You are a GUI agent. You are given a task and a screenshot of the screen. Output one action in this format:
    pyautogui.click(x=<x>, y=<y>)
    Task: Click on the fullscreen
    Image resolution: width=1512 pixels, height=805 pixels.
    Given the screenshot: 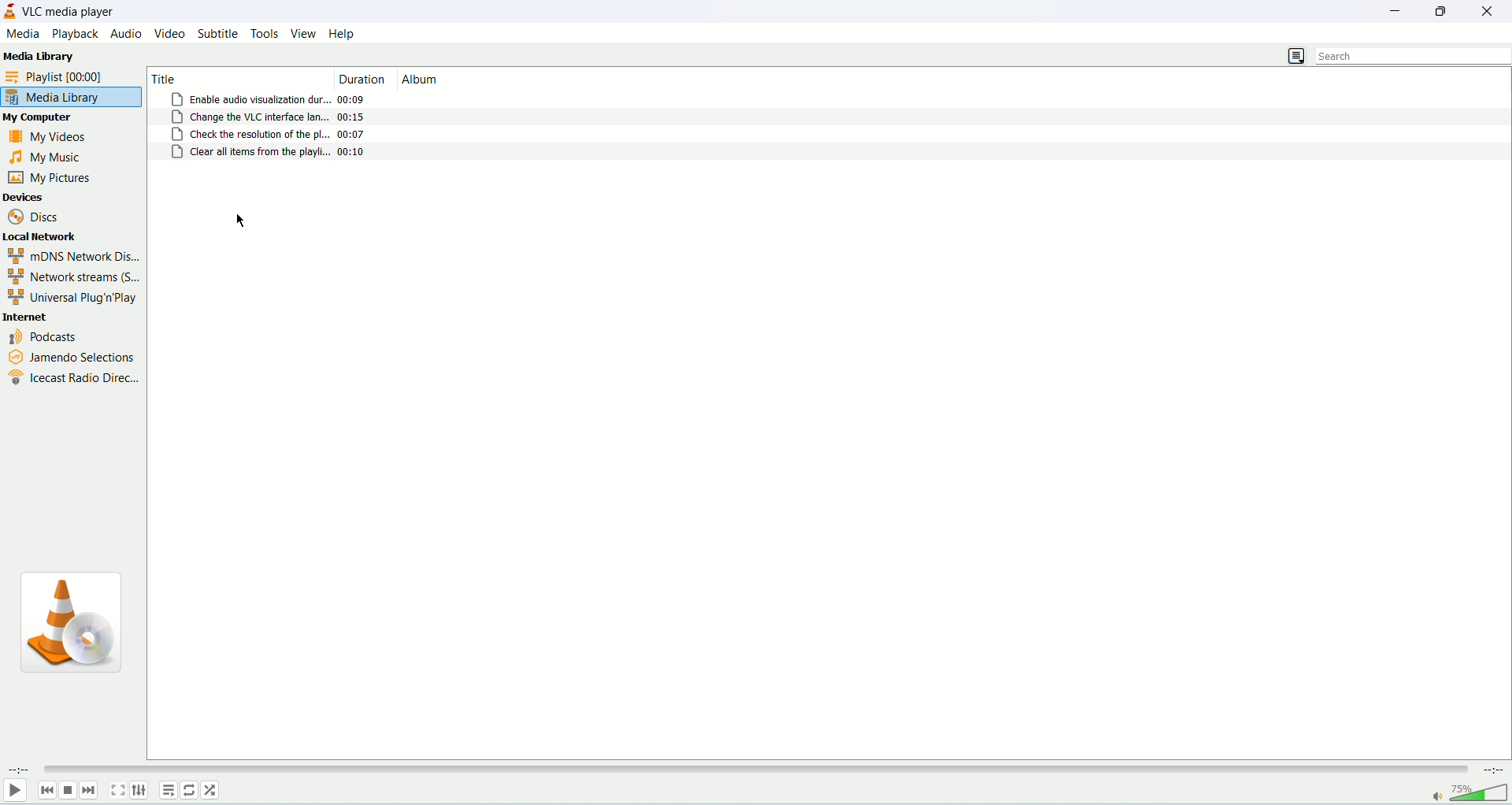 What is the action you would take?
    pyautogui.click(x=115, y=791)
    